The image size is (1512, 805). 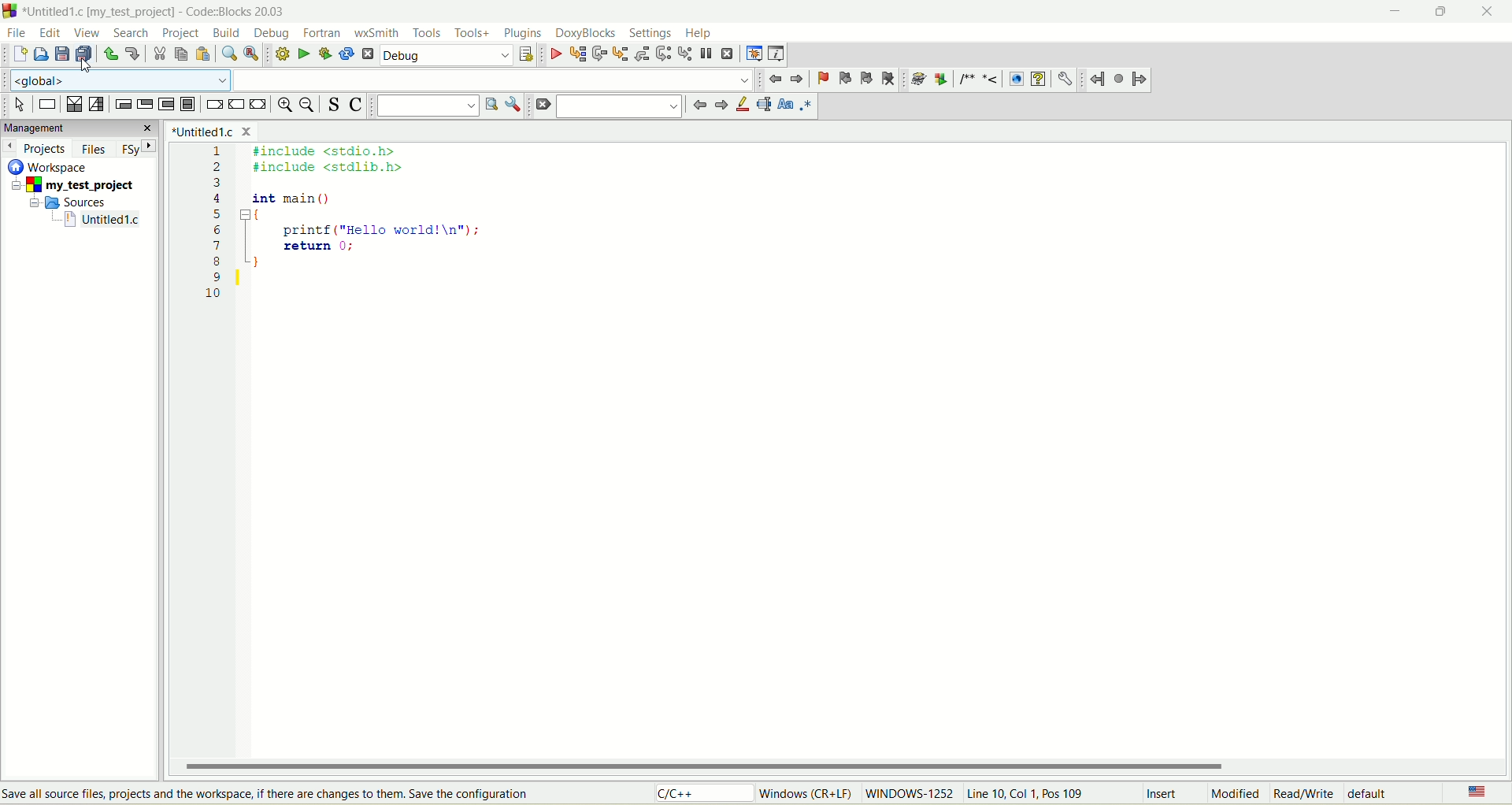 I want to click on plugins, so click(x=523, y=32).